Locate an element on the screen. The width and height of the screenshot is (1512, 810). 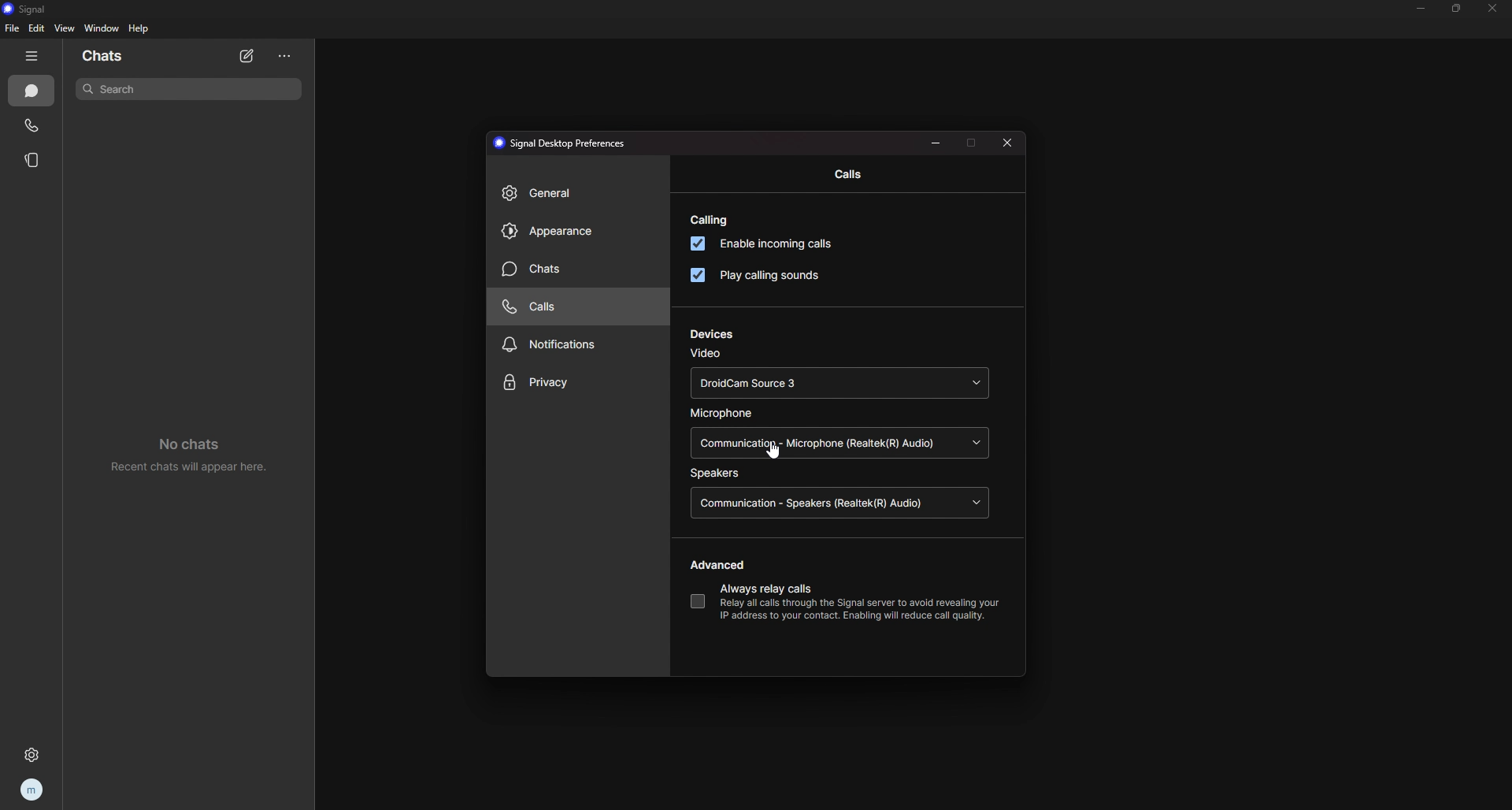
chats is located at coordinates (32, 91).